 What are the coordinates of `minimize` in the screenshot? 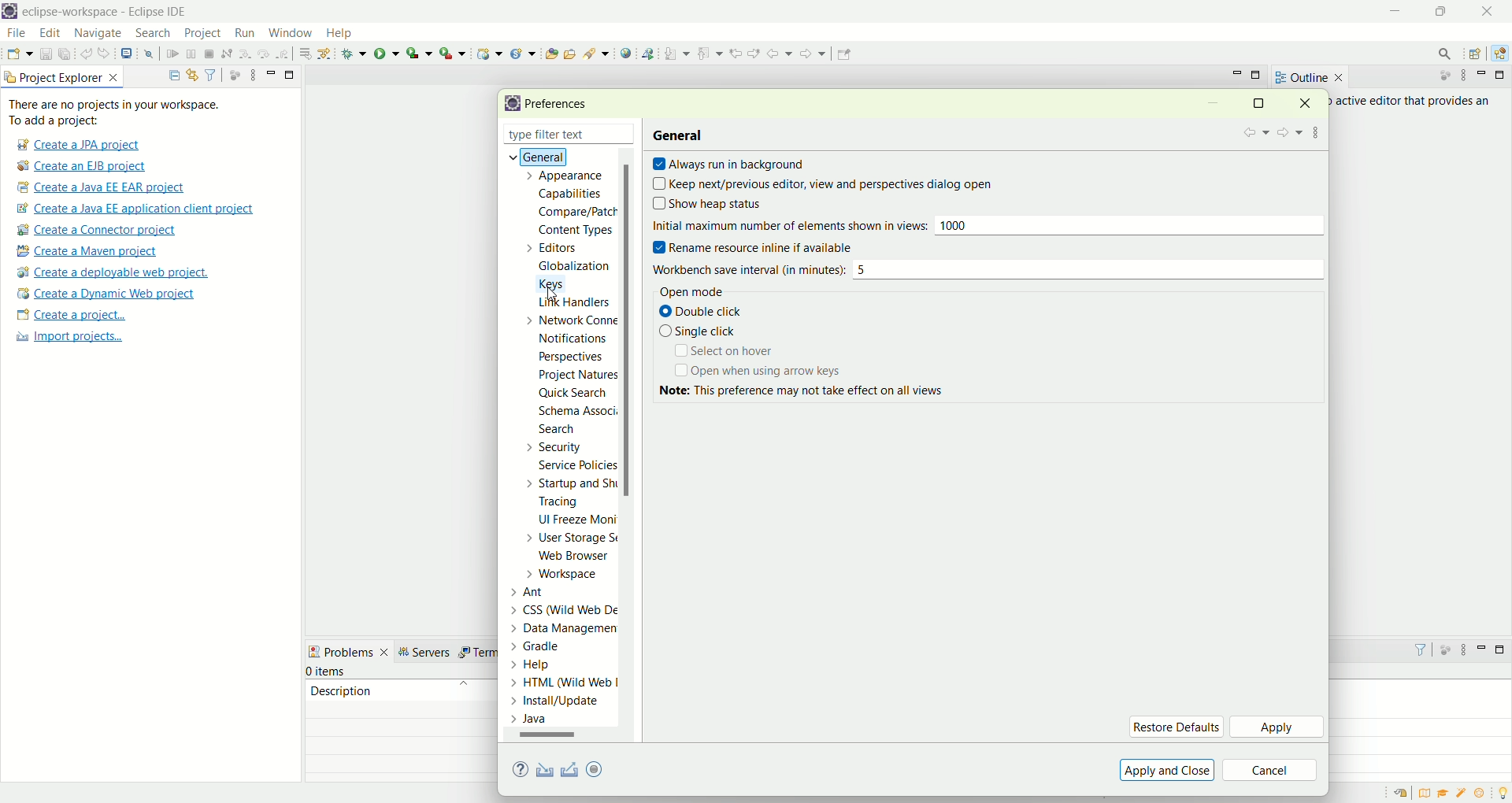 It's located at (1213, 105).